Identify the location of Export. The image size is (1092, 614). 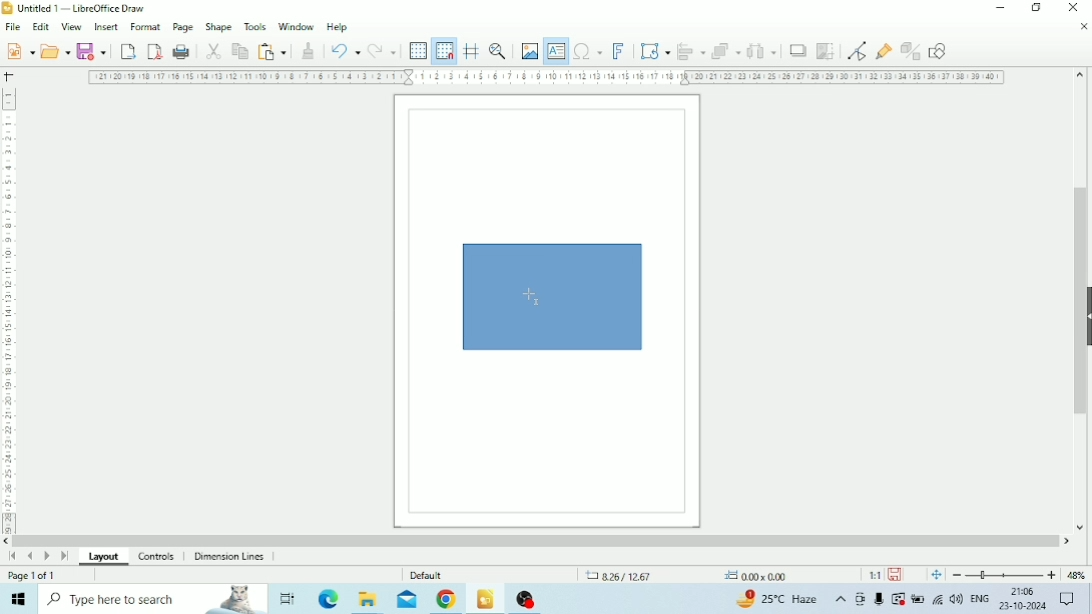
(128, 52).